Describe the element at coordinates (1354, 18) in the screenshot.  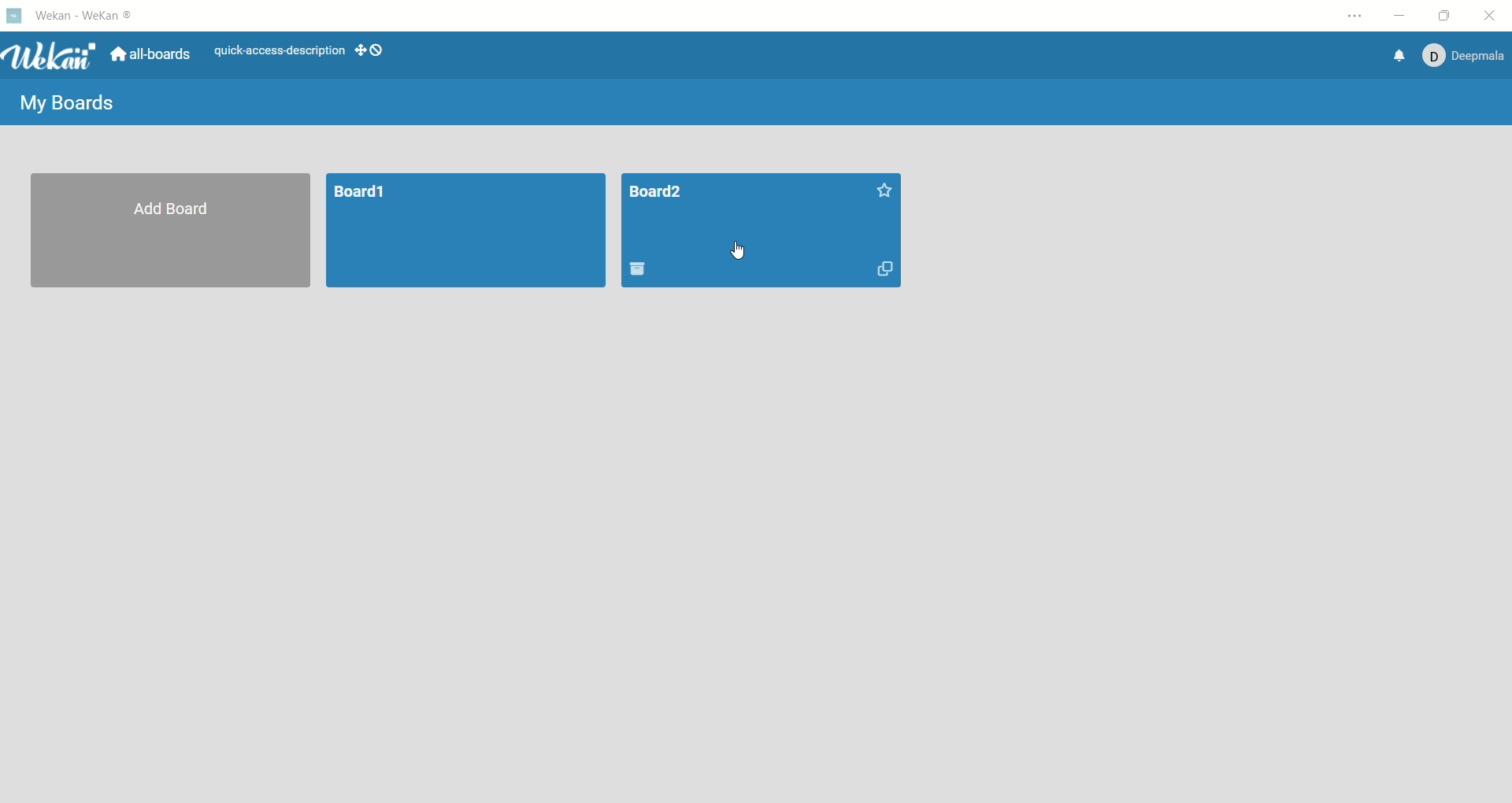
I see `settings and more` at that location.